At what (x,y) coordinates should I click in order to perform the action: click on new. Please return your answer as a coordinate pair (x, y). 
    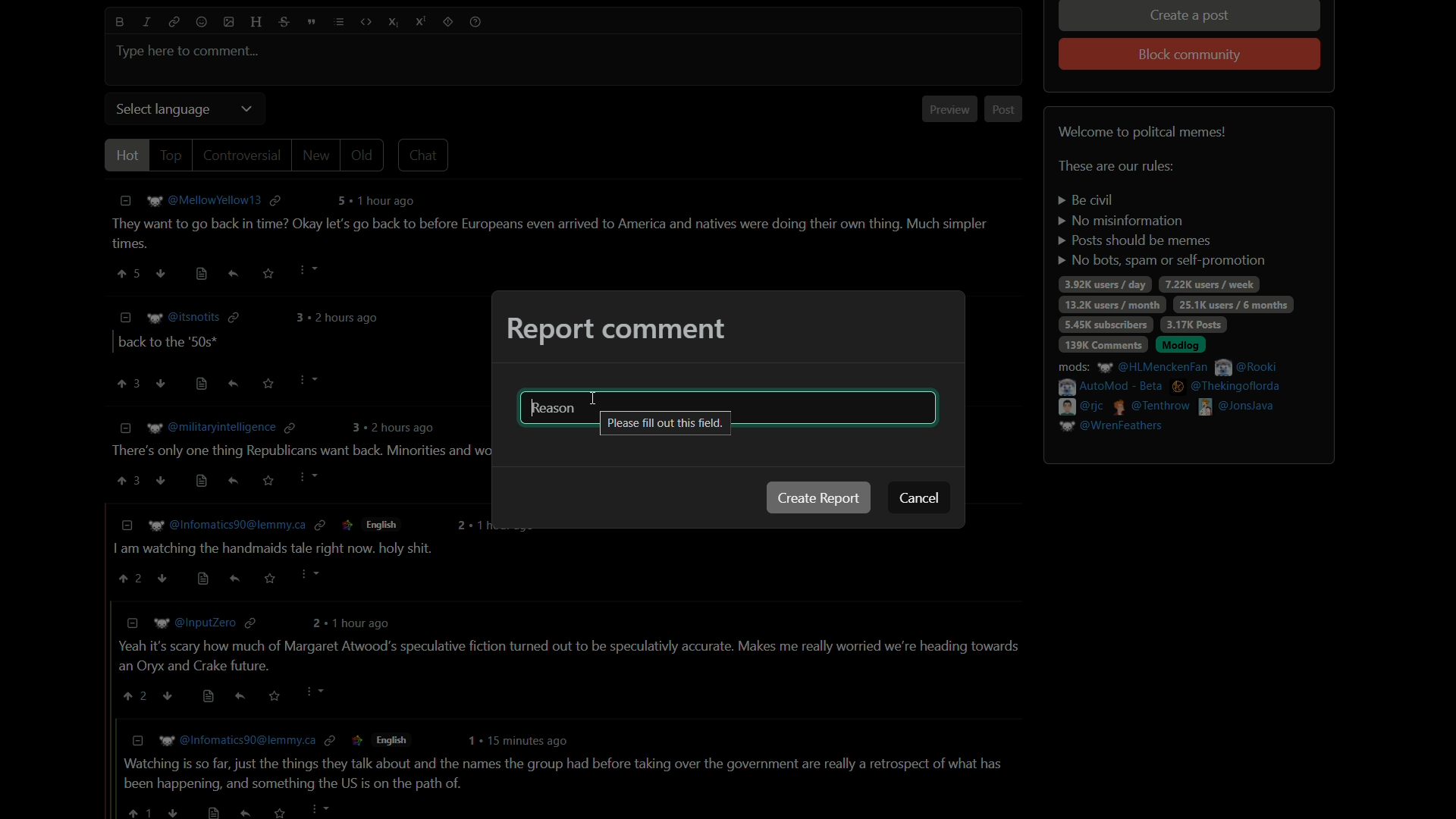
    Looking at the image, I should click on (318, 155).